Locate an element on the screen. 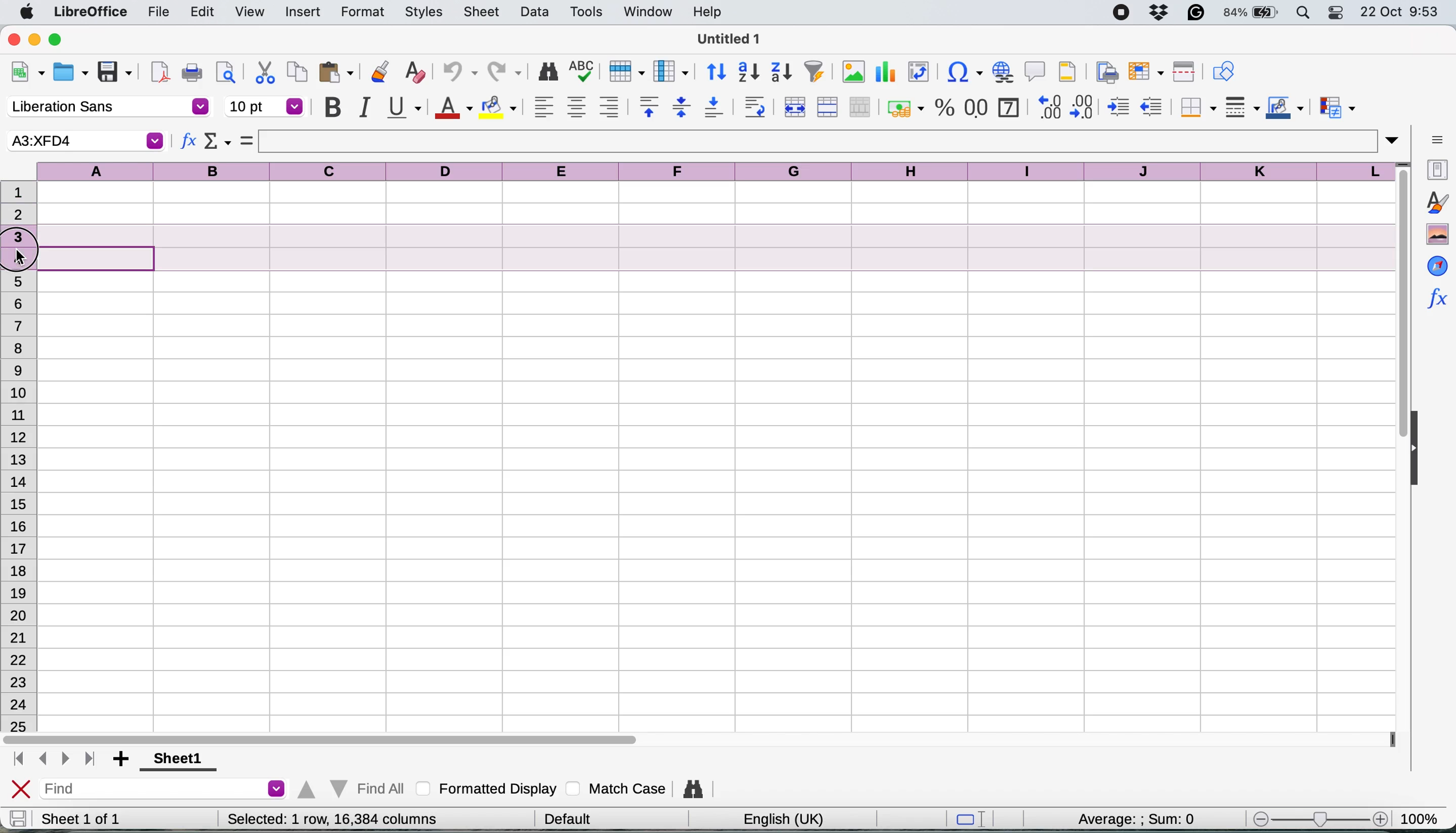  merge and center or unmerge is located at coordinates (793, 105).